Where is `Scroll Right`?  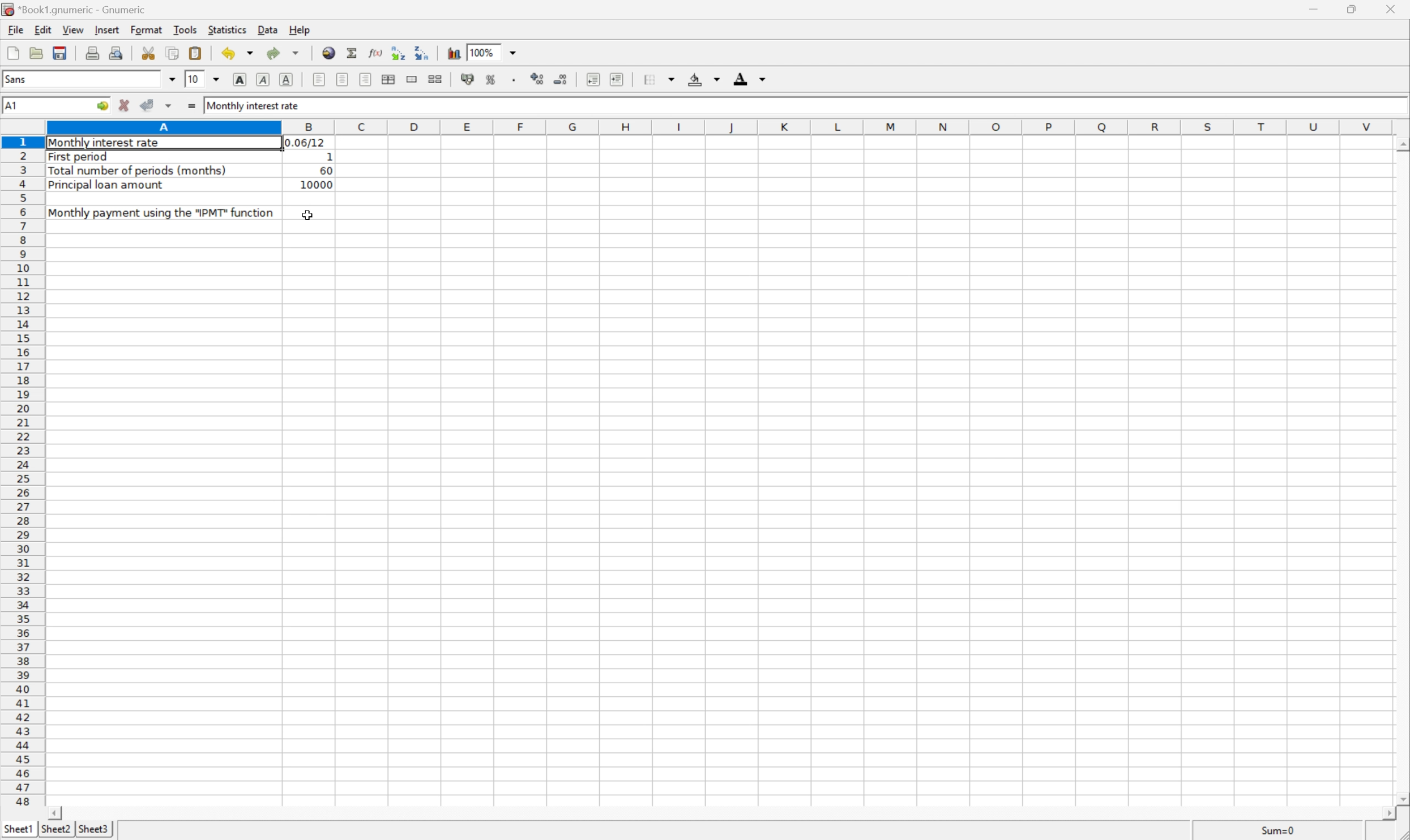 Scroll Right is located at coordinates (1386, 814).